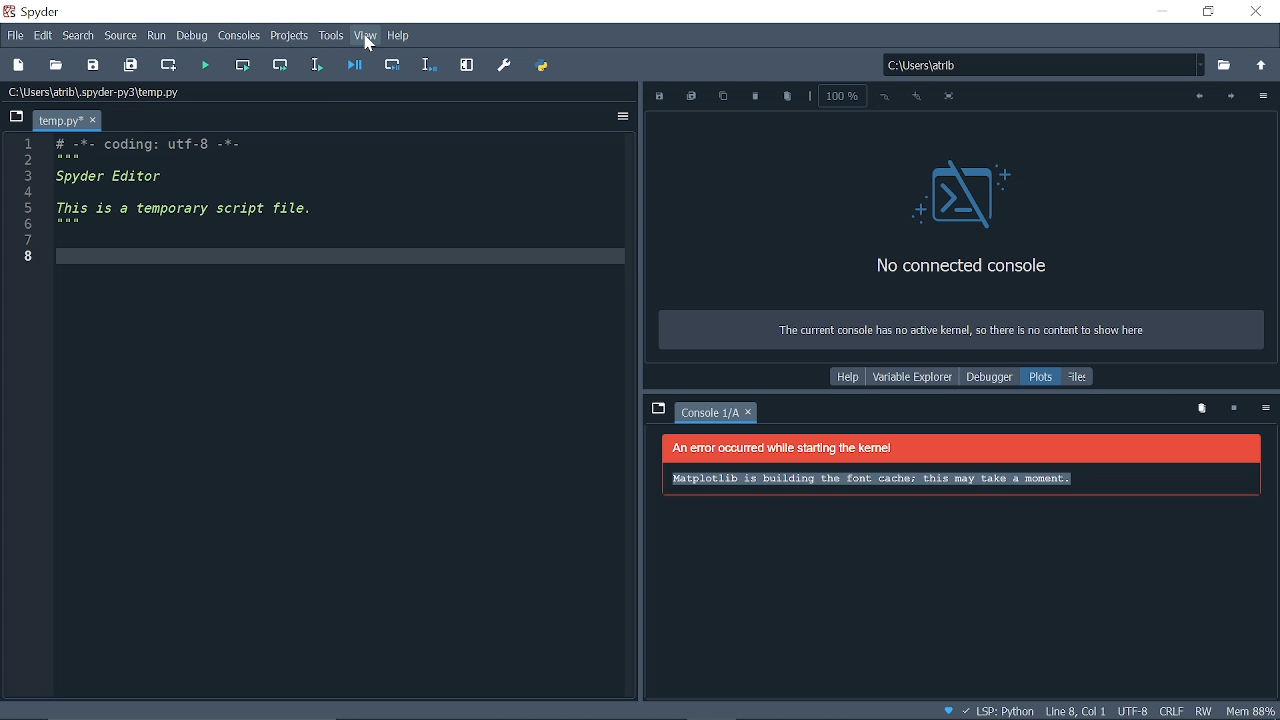 Image resolution: width=1280 pixels, height=720 pixels. Describe the element at coordinates (157, 37) in the screenshot. I see `Run` at that location.